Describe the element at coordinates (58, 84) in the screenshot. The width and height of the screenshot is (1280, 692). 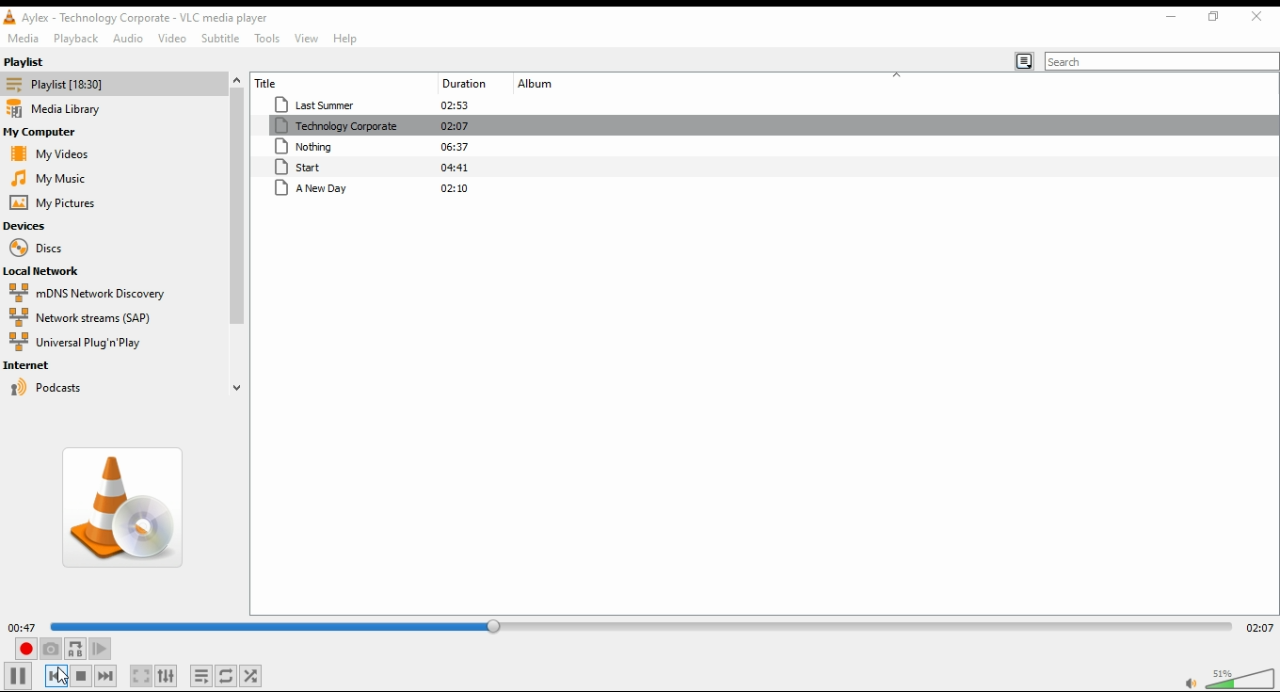
I see `playlist [18:30]` at that location.